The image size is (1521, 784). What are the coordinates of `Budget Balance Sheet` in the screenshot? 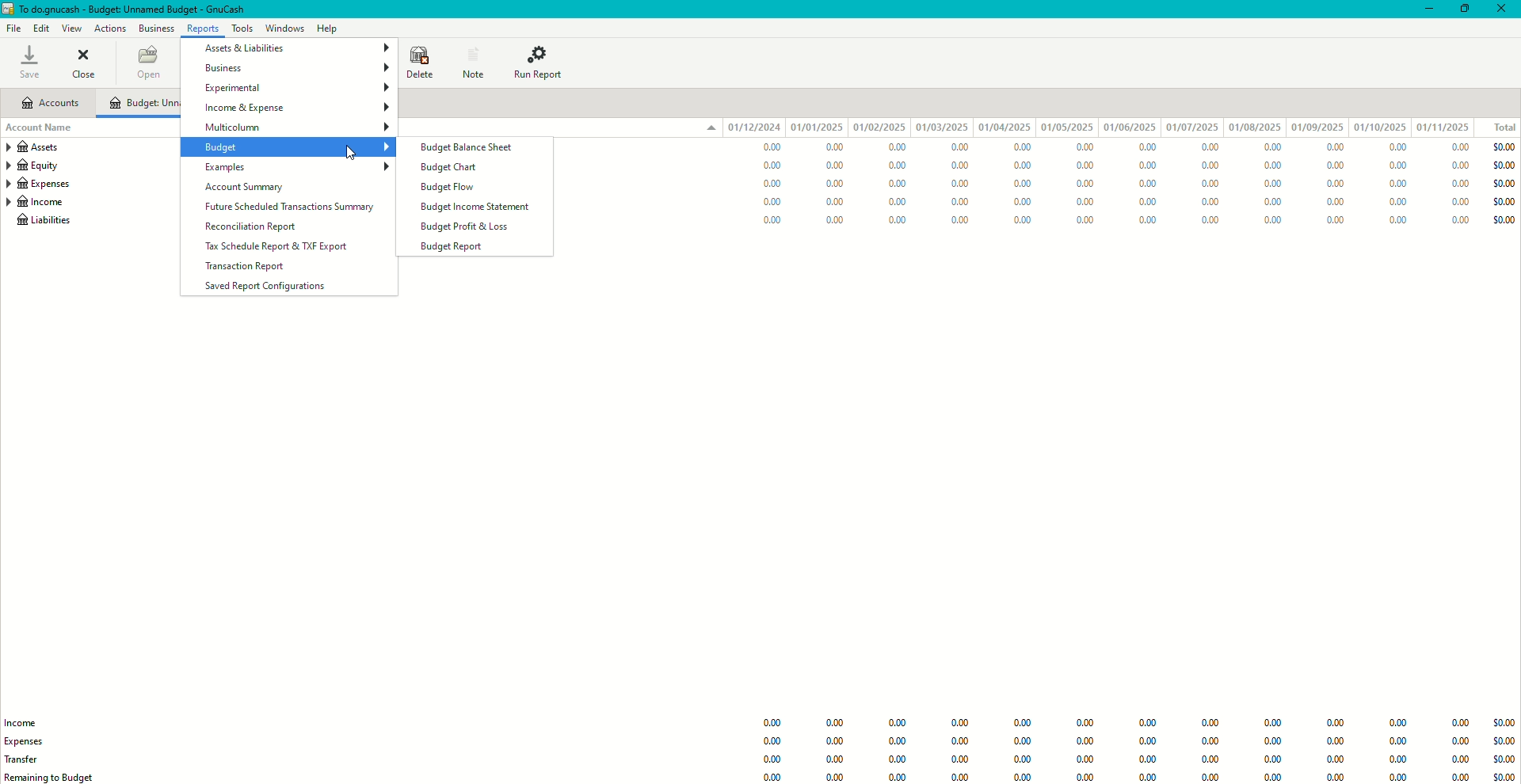 It's located at (467, 149).